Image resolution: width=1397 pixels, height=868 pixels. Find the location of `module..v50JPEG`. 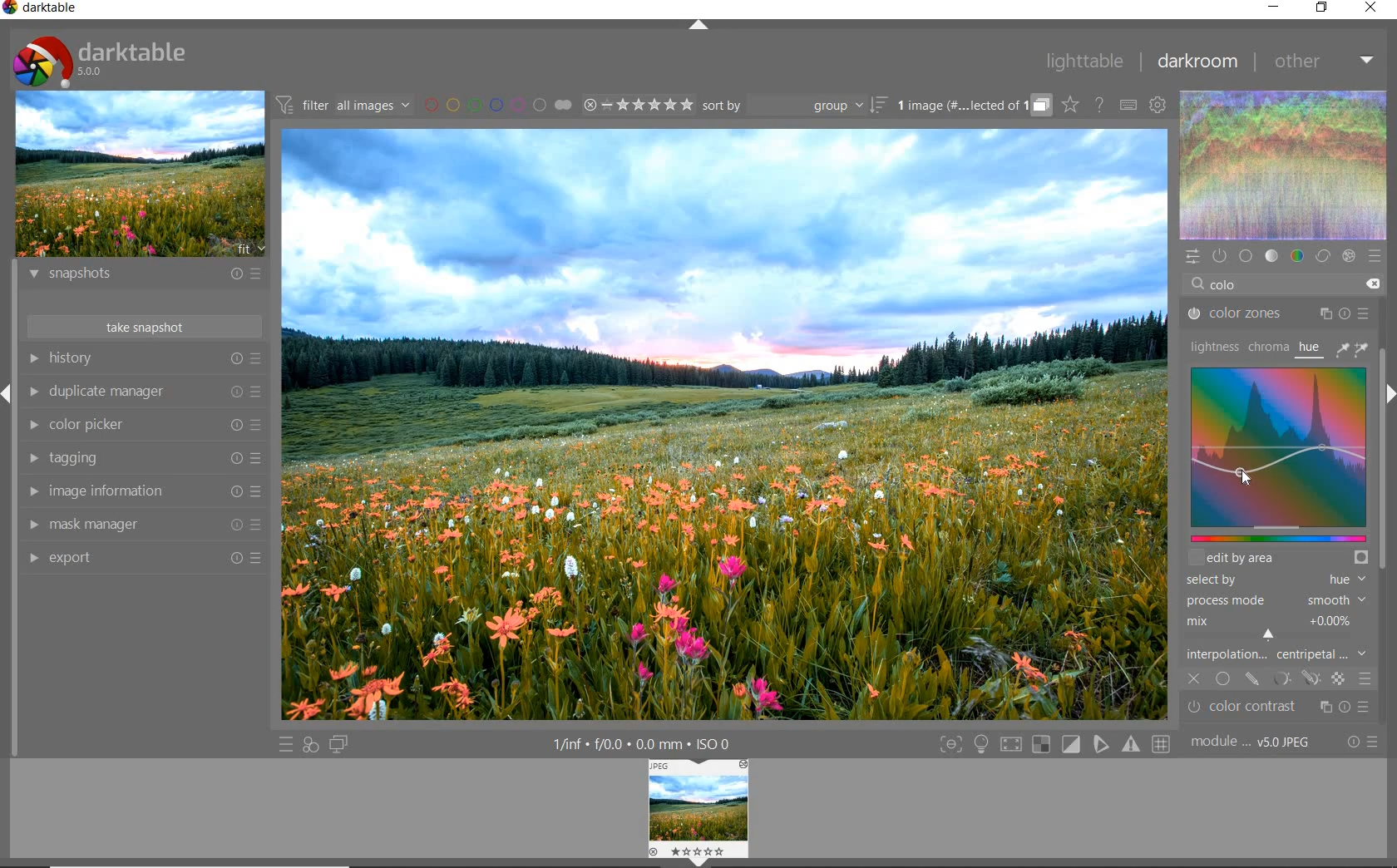

module..v50JPEG is located at coordinates (1255, 742).